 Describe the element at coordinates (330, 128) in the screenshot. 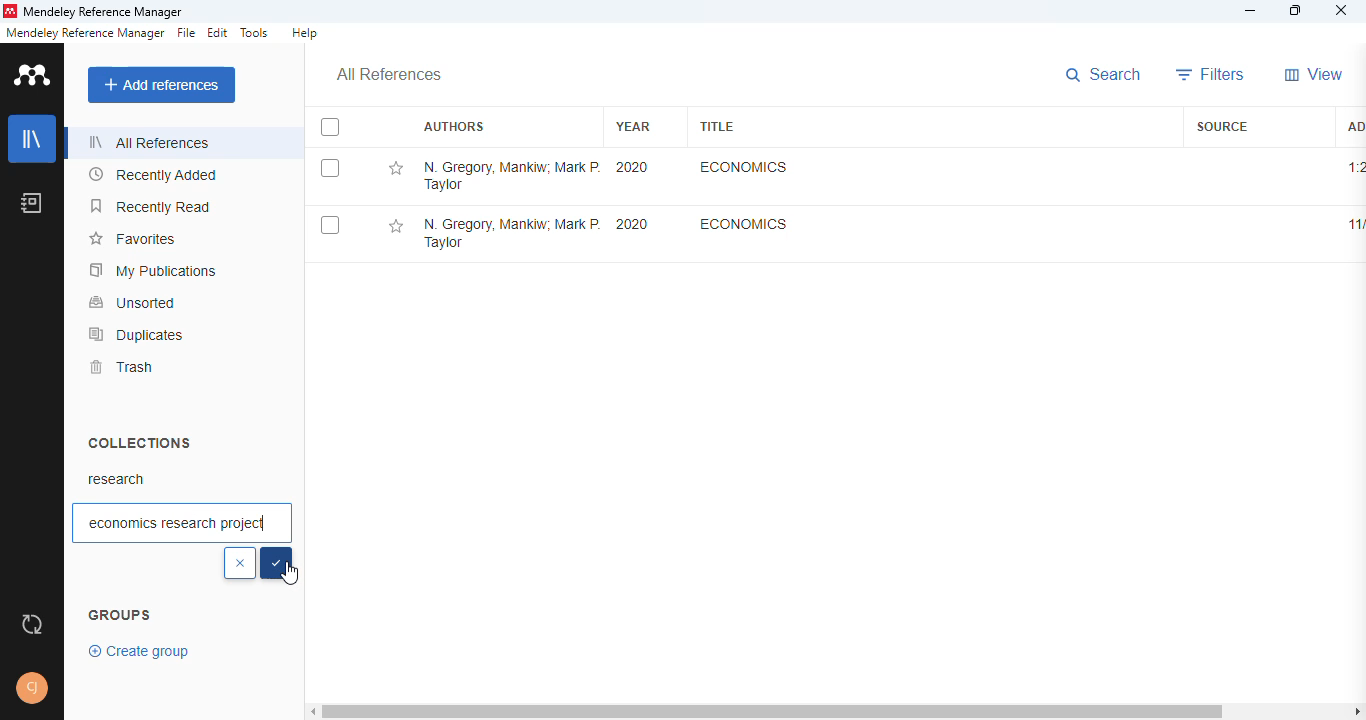

I see `select` at that location.